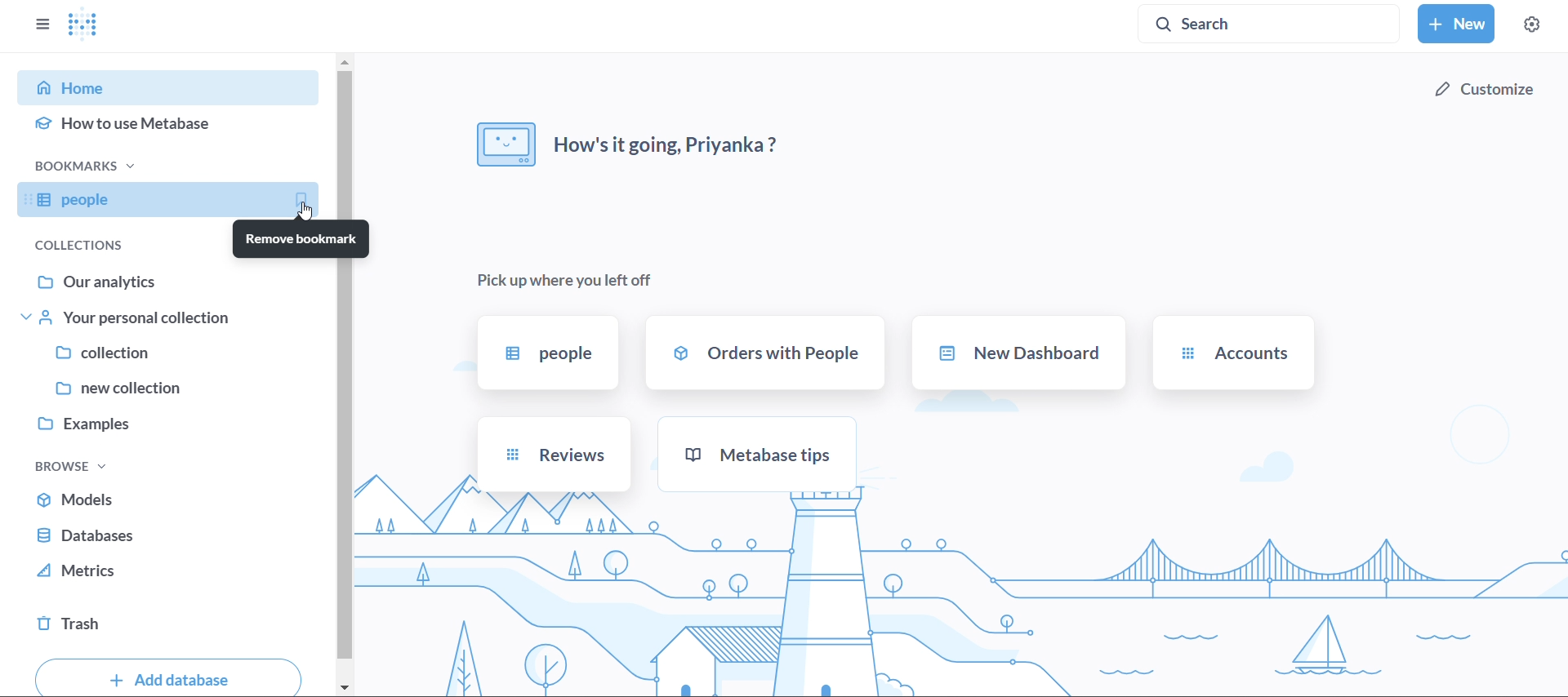 This screenshot has width=1568, height=697. Describe the element at coordinates (630, 143) in the screenshot. I see `how it's going priyanka?` at that location.